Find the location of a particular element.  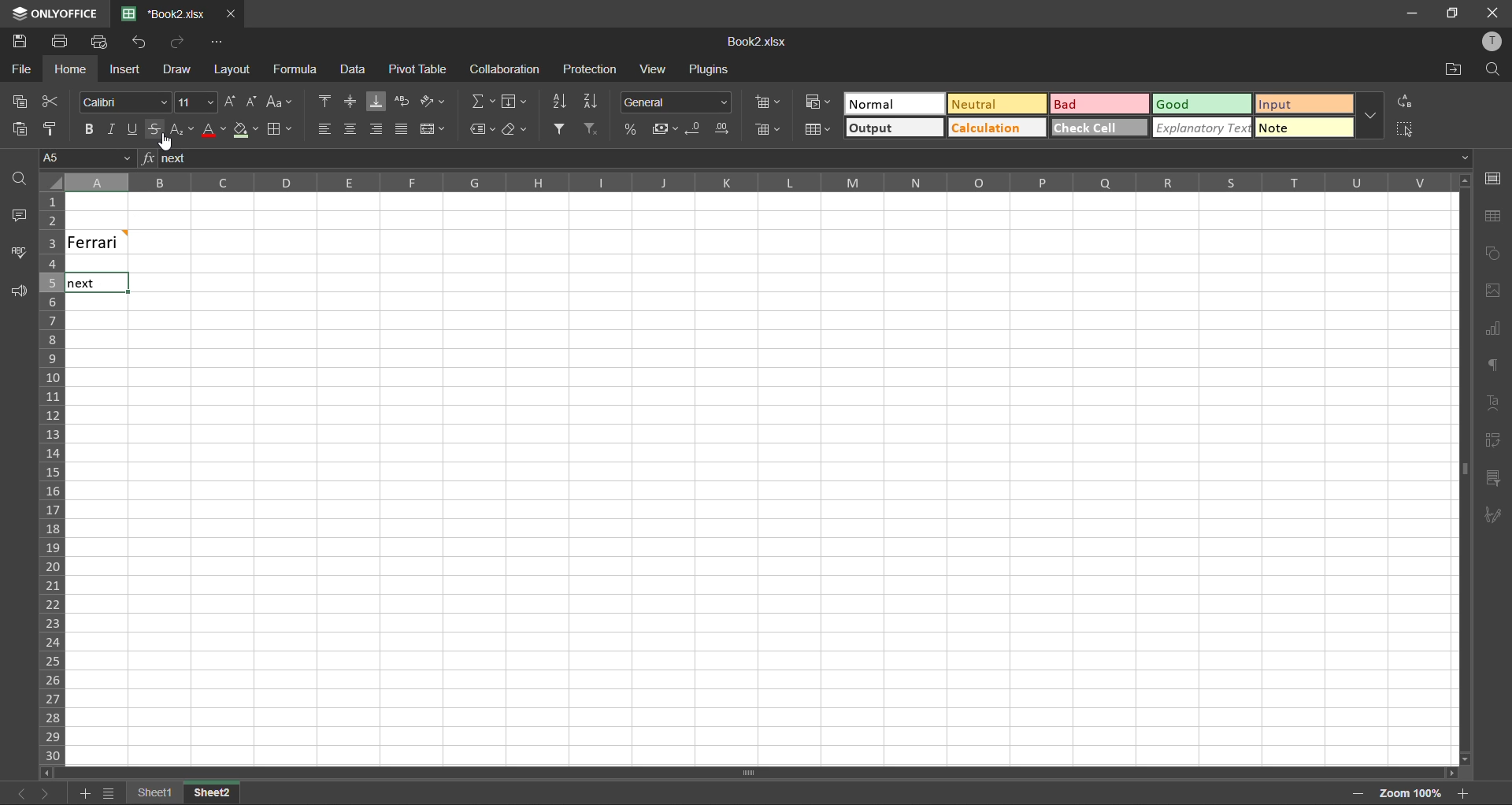

input is located at coordinates (1301, 102).